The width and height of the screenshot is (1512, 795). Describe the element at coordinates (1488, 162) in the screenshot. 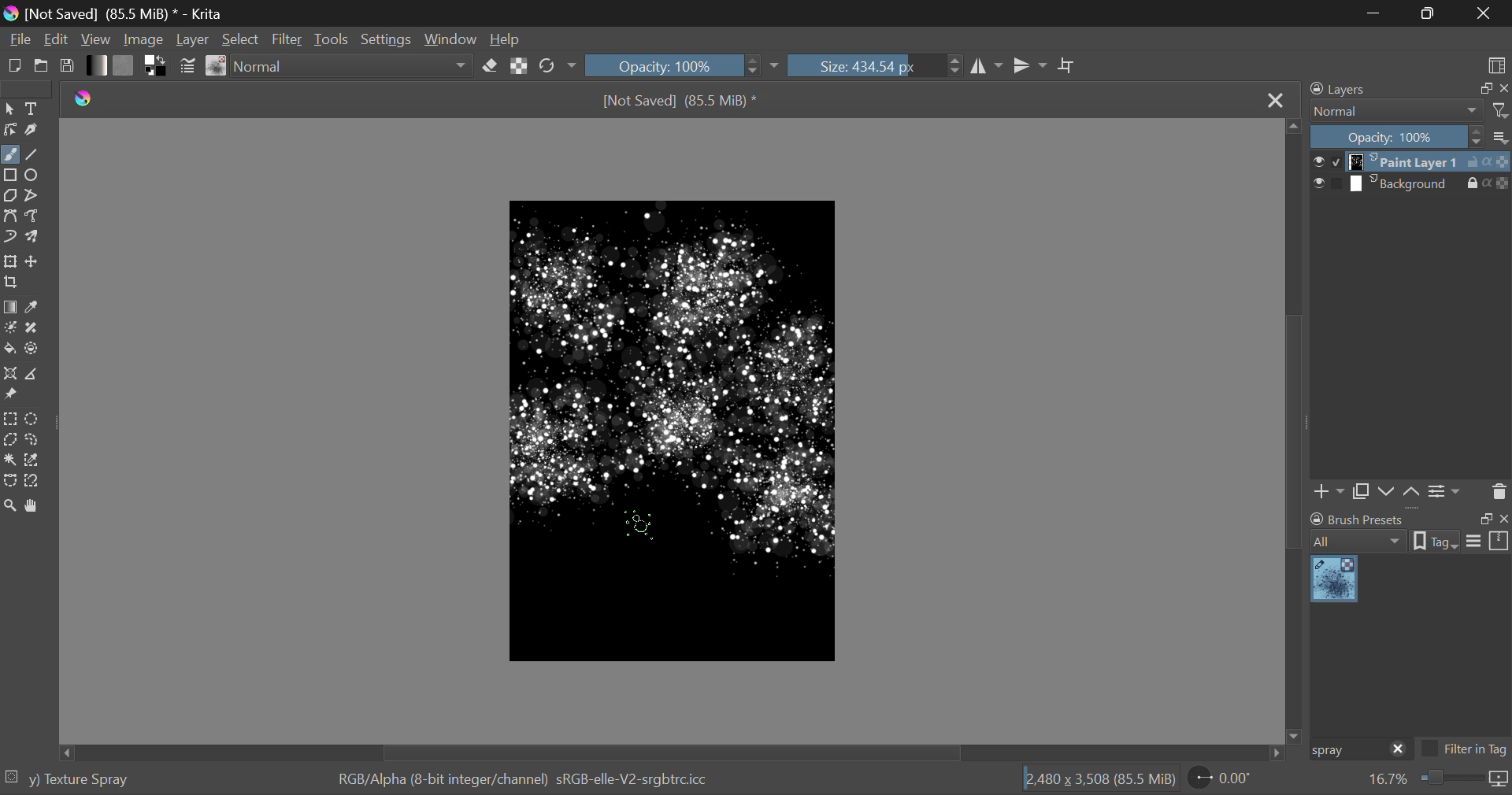

I see `actions` at that location.